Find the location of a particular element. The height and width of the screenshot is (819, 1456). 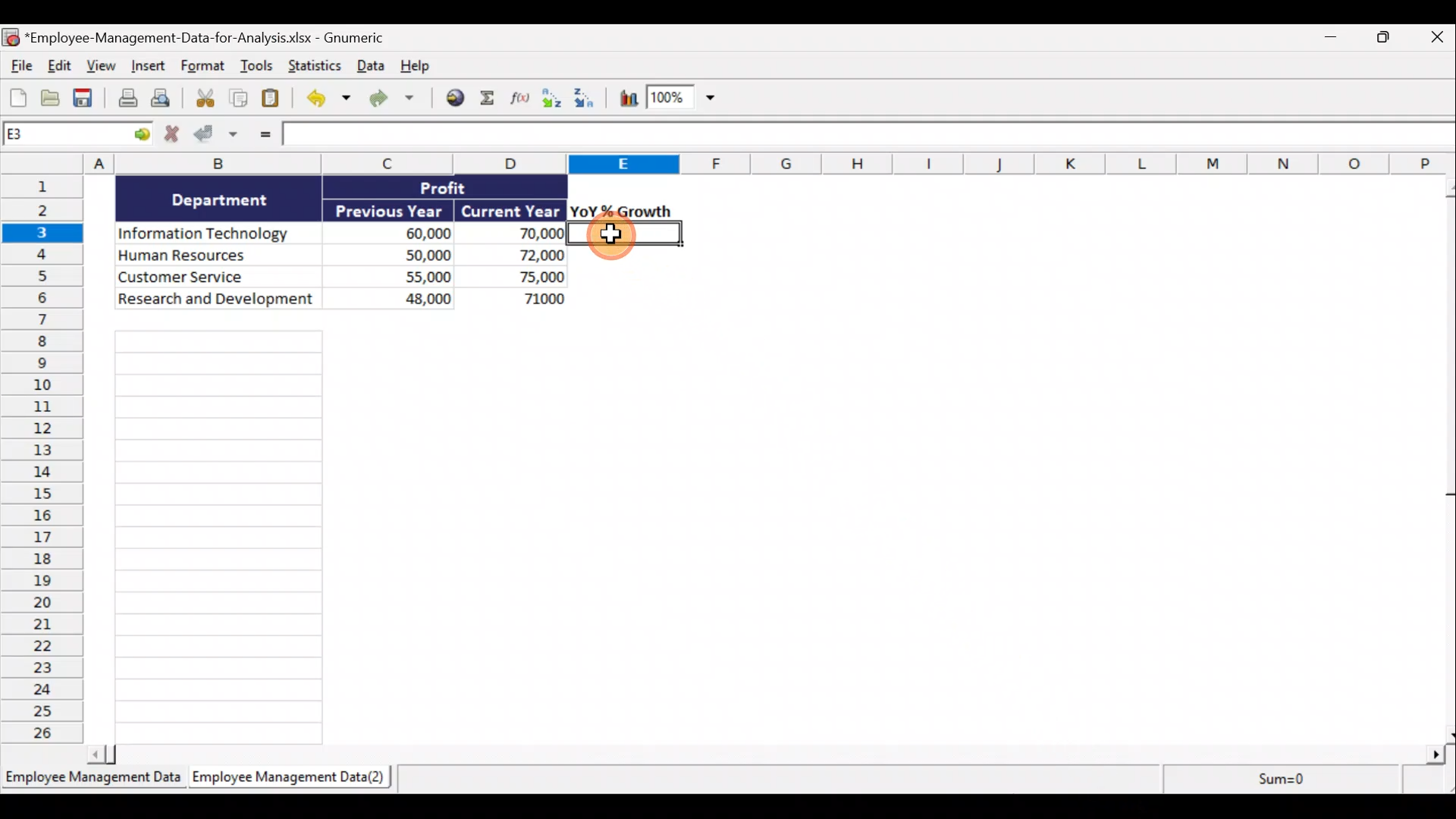

View is located at coordinates (99, 65).